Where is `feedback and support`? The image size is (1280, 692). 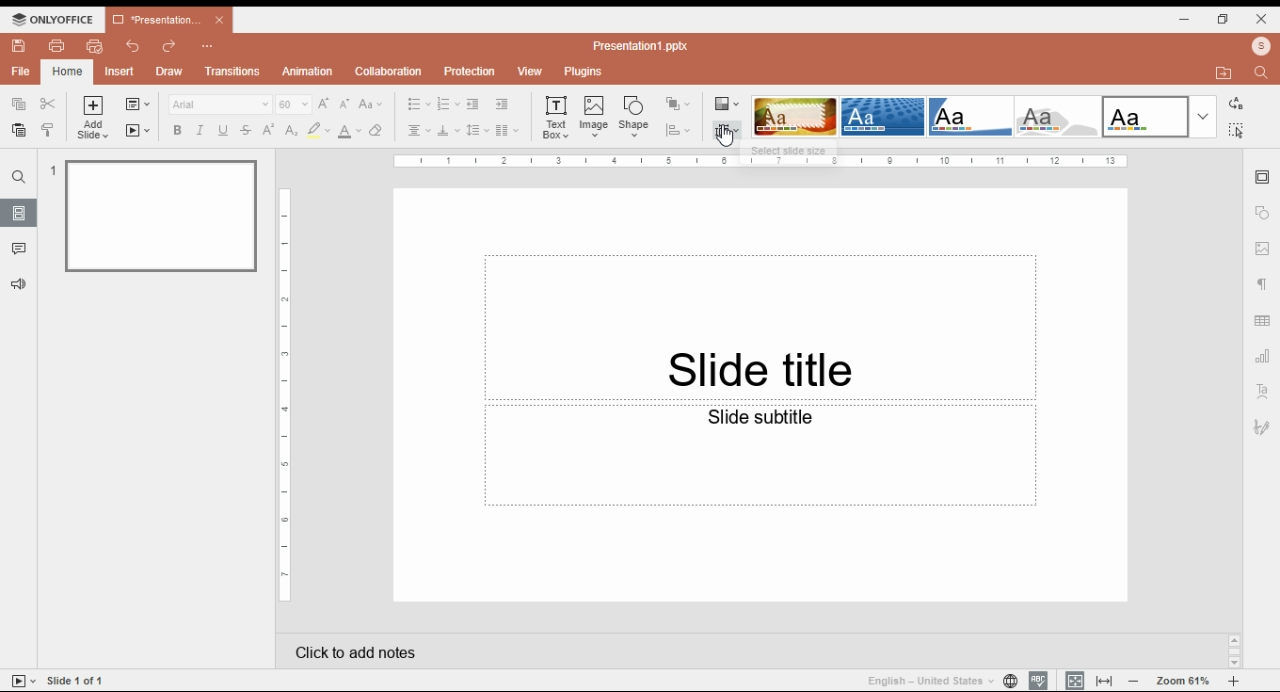
feedback and support is located at coordinates (20, 285).